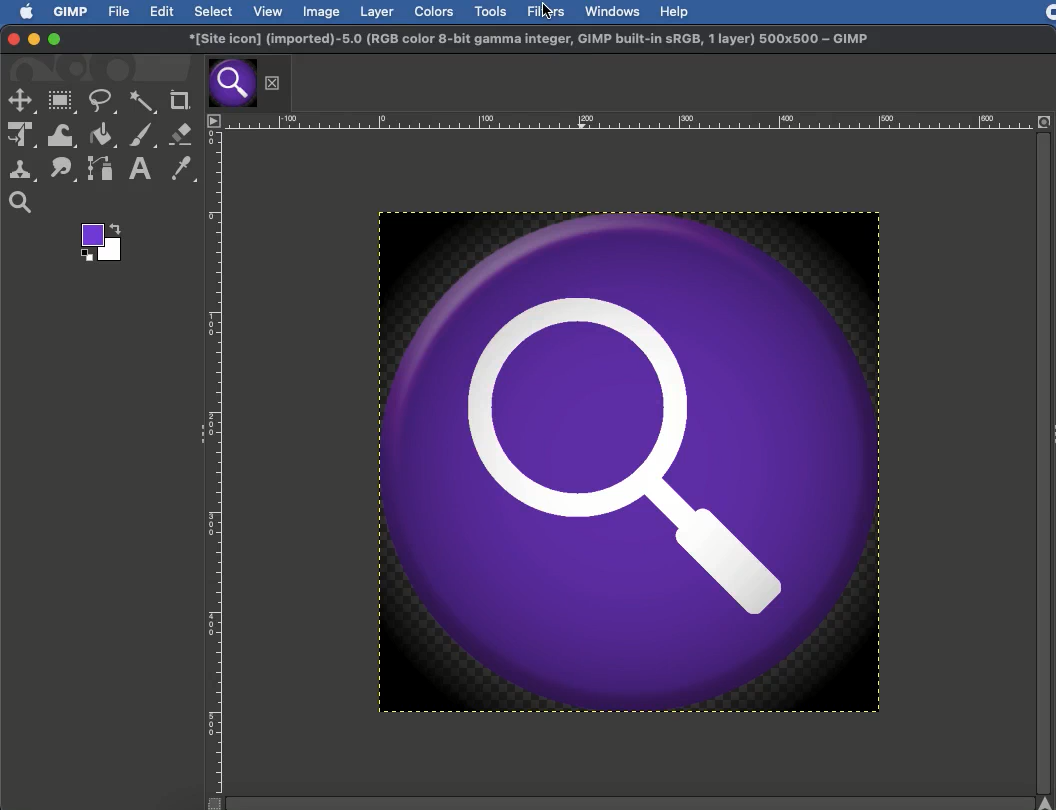  I want to click on Eraser, so click(180, 133).